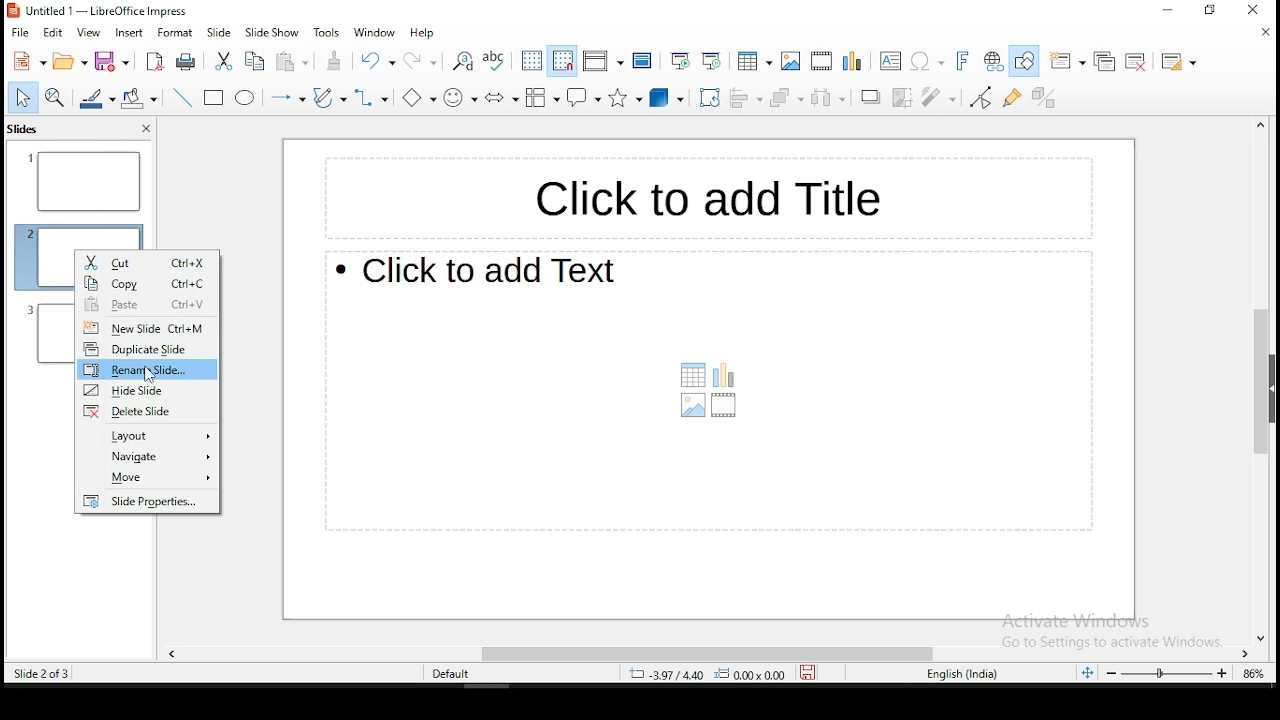  Describe the element at coordinates (148, 375) in the screenshot. I see `mouse pointer` at that location.